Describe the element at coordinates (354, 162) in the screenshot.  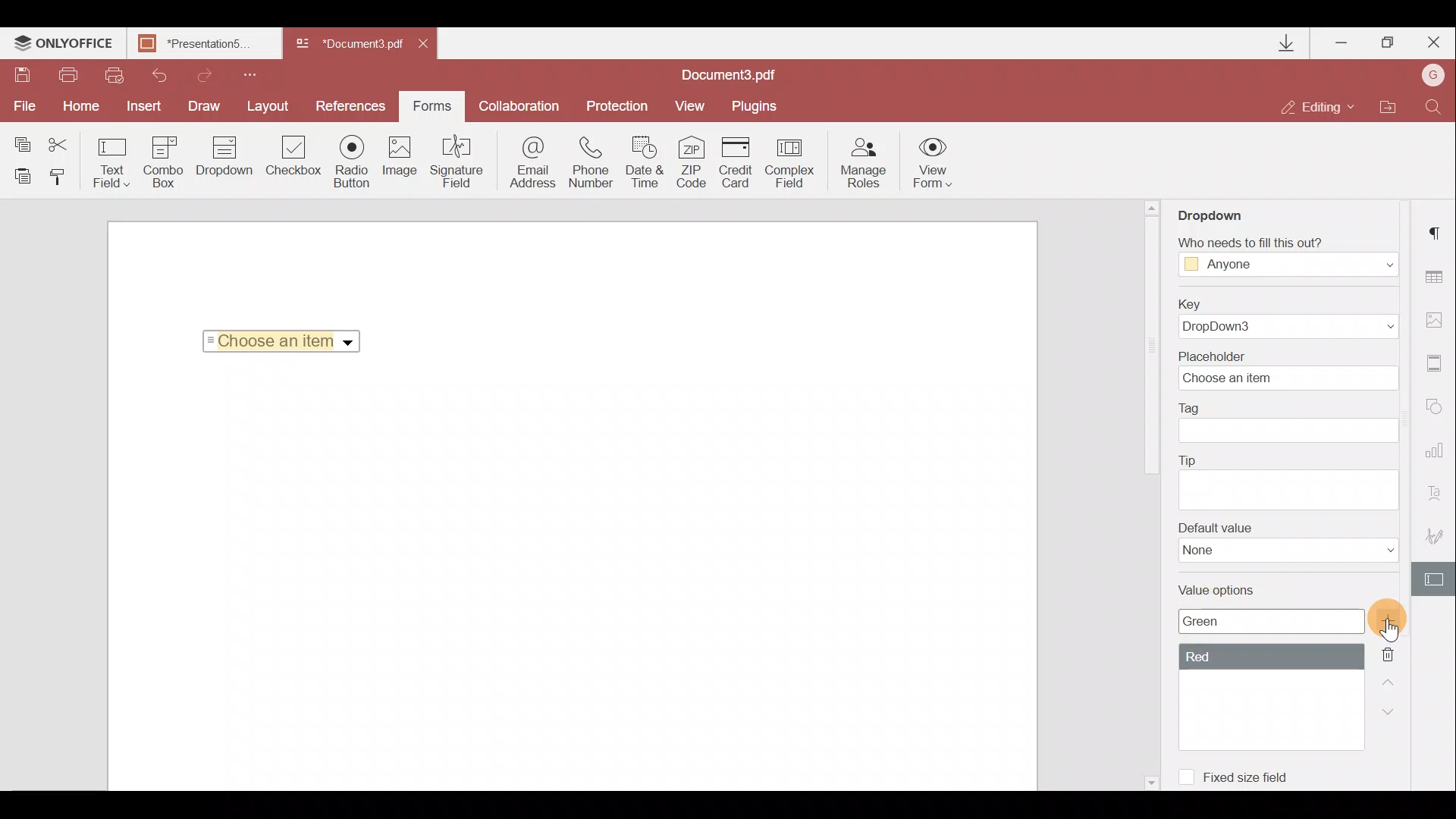
I see `Radio` at that location.